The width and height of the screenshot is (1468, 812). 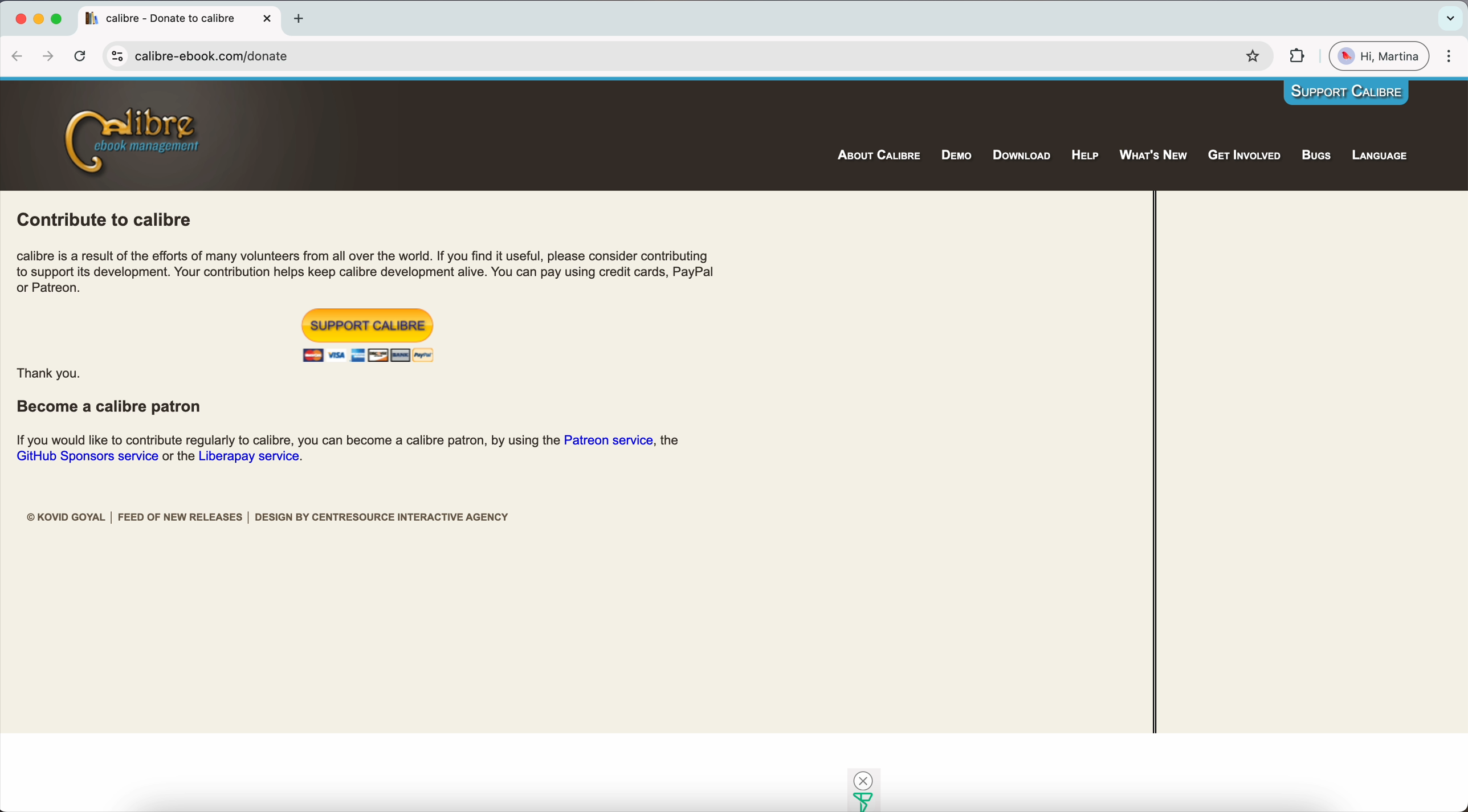 What do you see at coordinates (1316, 157) in the screenshot?
I see `bugs` at bounding box center [1316, 157].